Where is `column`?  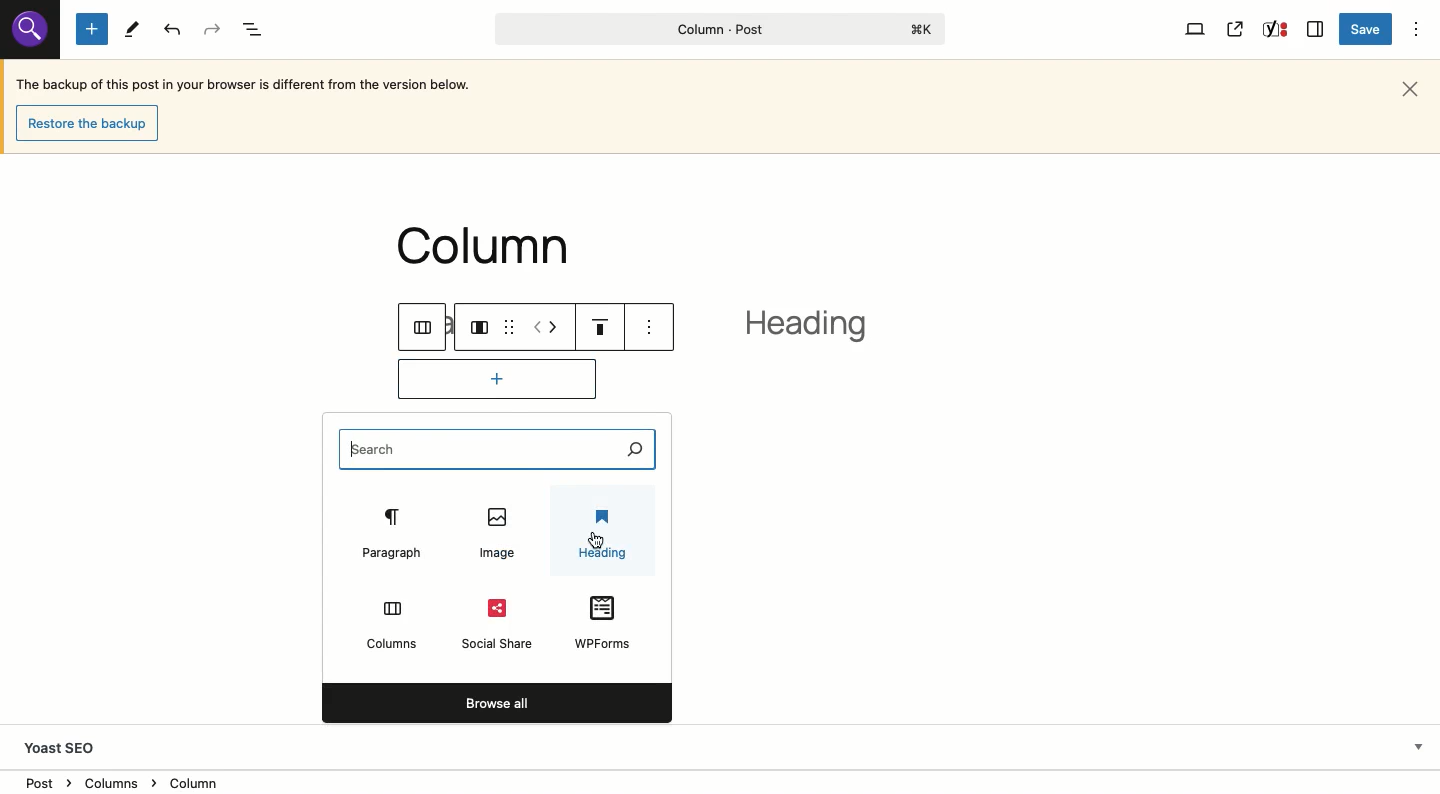 column is located at coordinates (491, 247).